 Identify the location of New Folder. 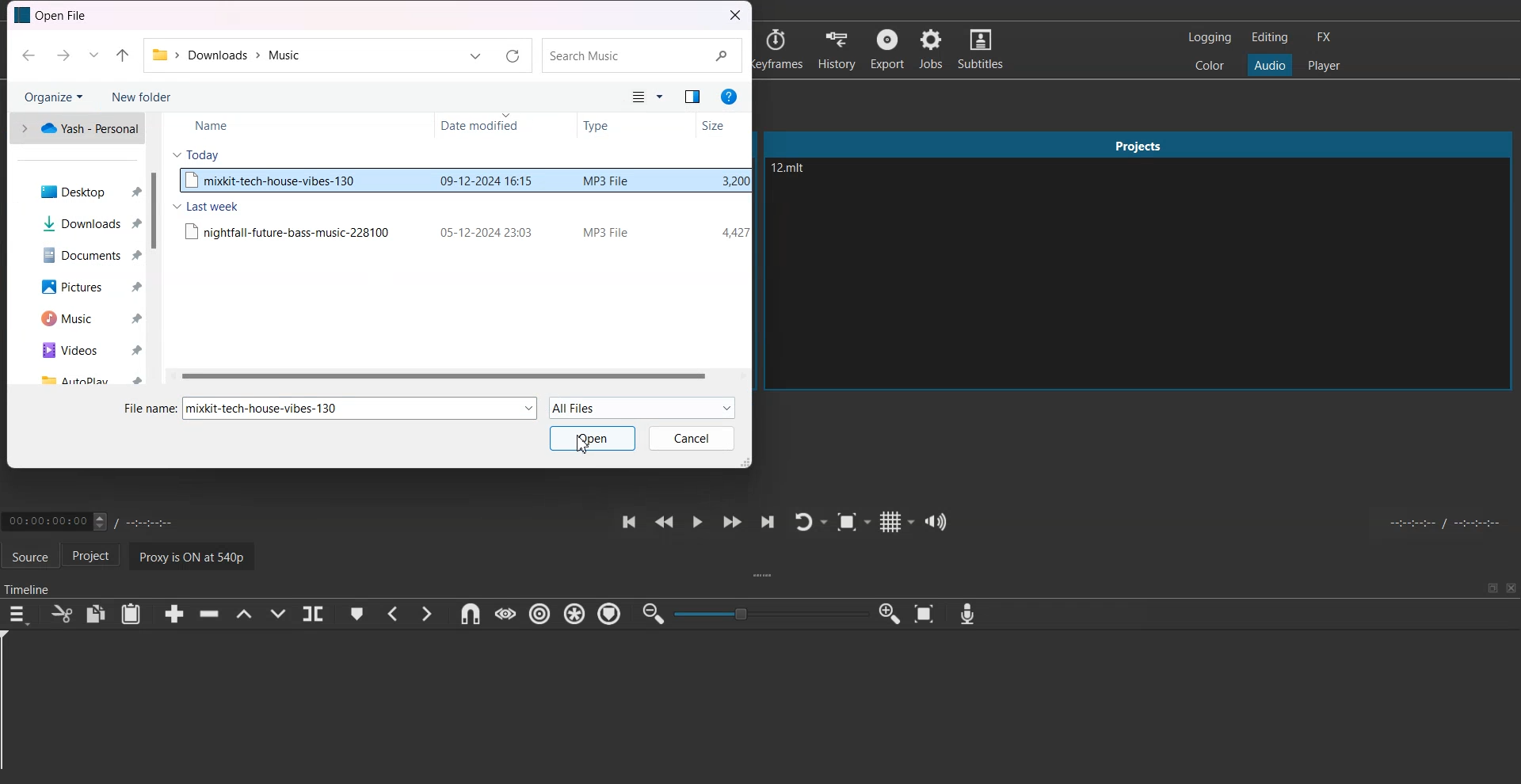
(141, 97).